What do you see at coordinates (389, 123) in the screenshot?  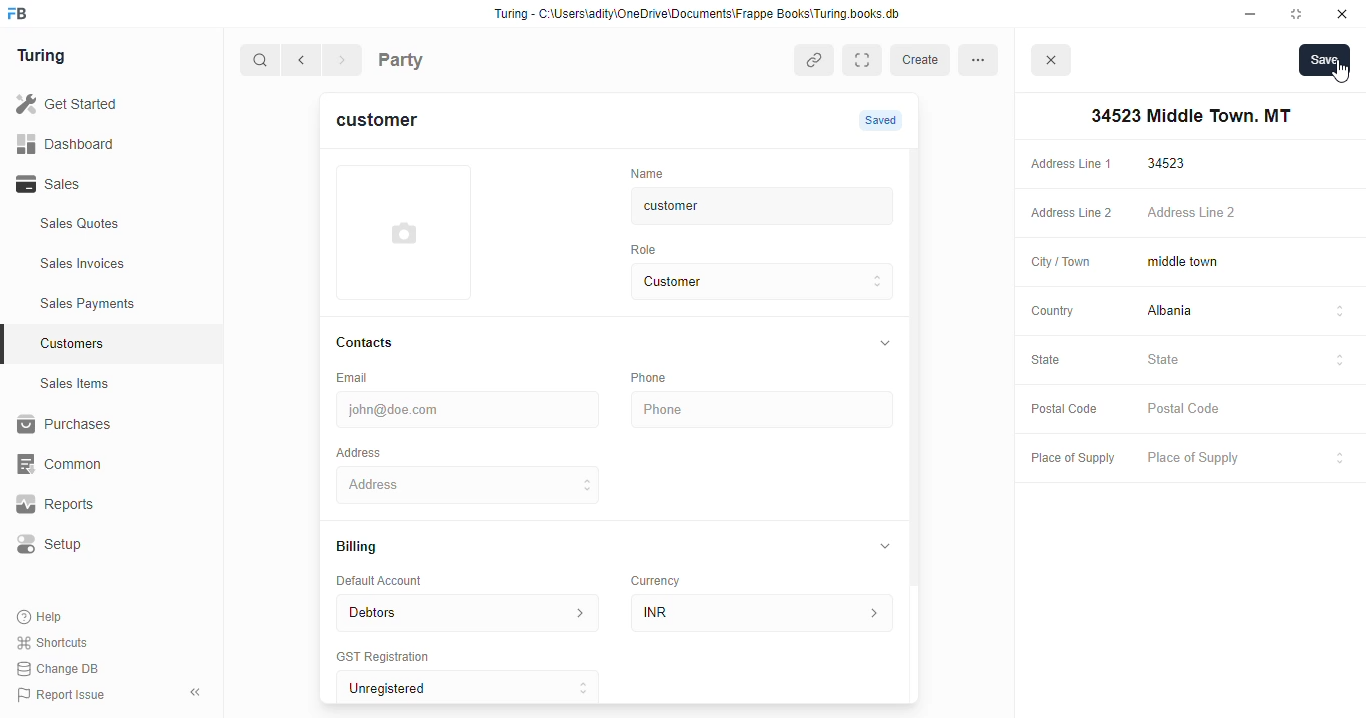 I see `customer` at bounding box center [389, 123].